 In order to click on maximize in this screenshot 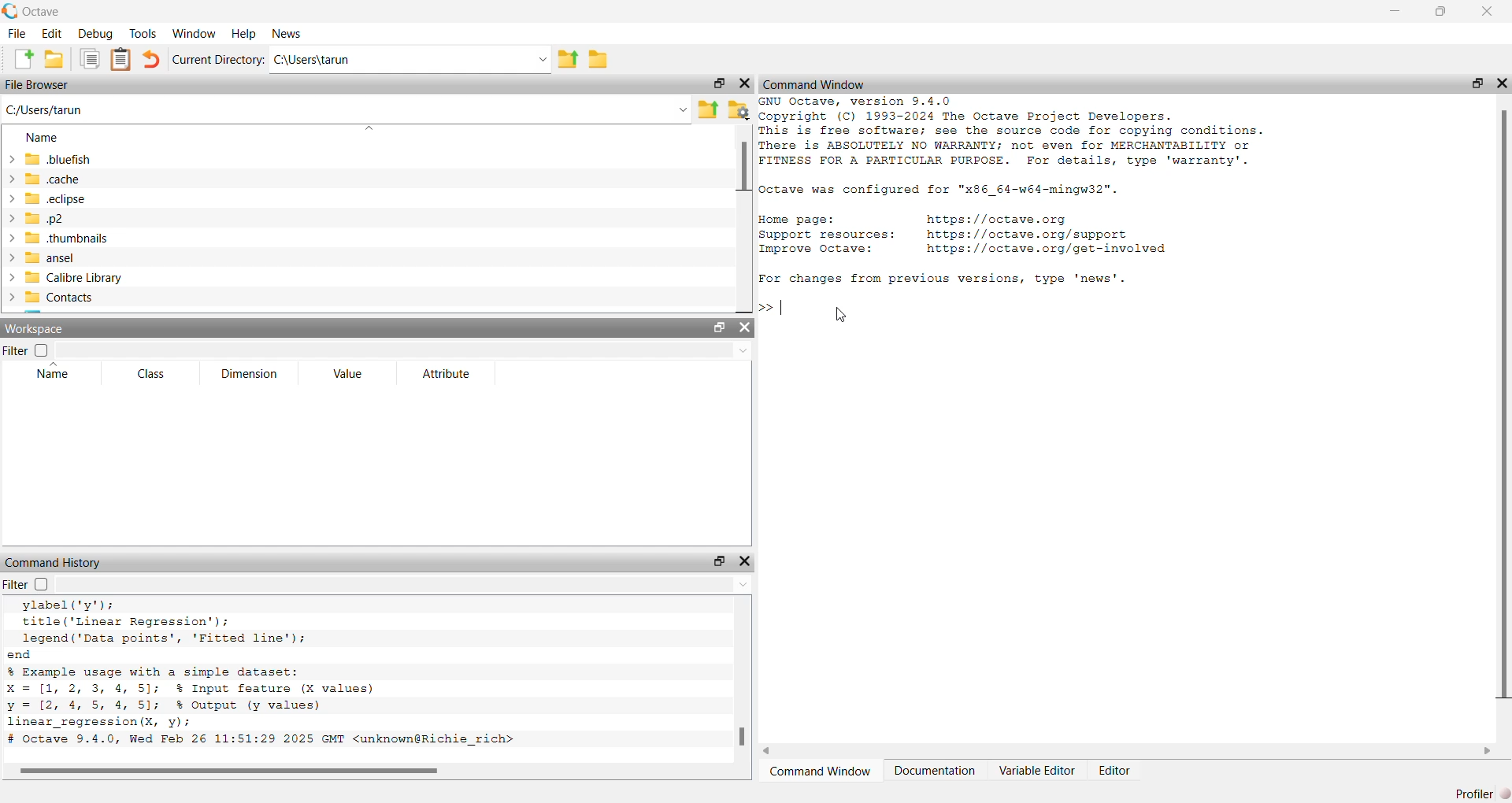, I will do `click(1443, 10)`.